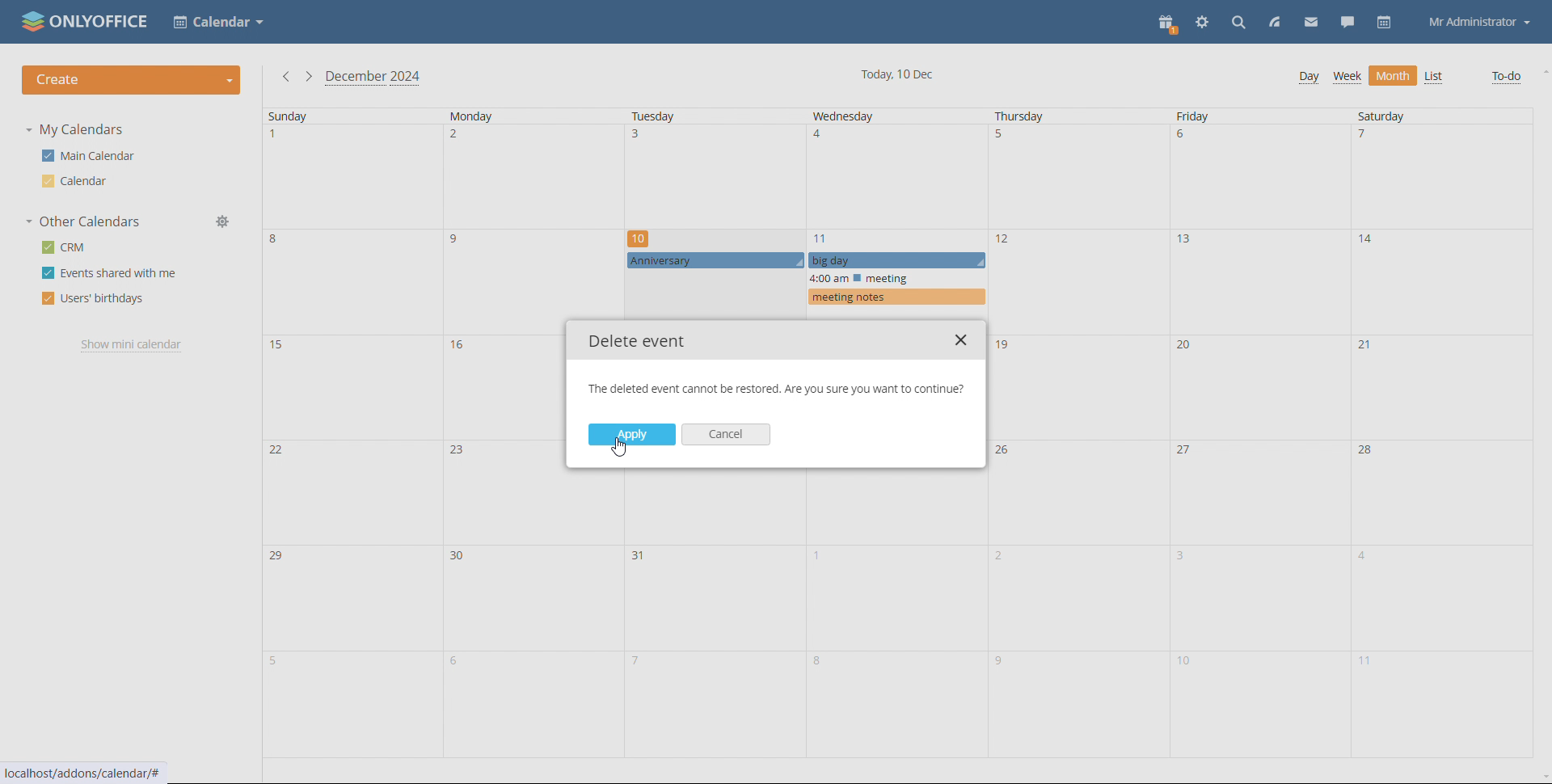  What do you see at coordinates (1542, 778) in the screenshot?
I see `scroll down` at bounding box center [1542, 778].